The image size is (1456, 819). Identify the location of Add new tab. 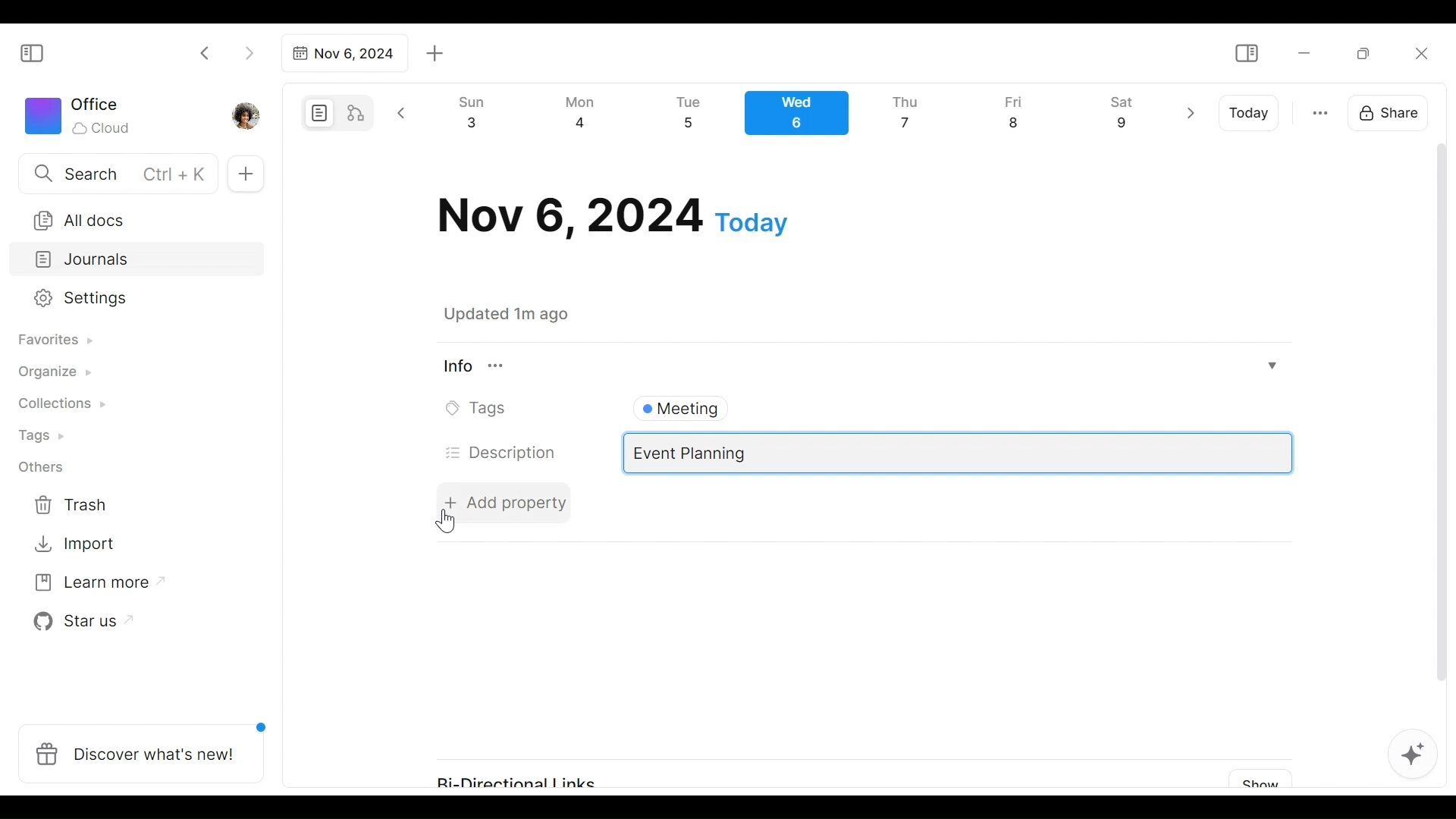
(435, 54).